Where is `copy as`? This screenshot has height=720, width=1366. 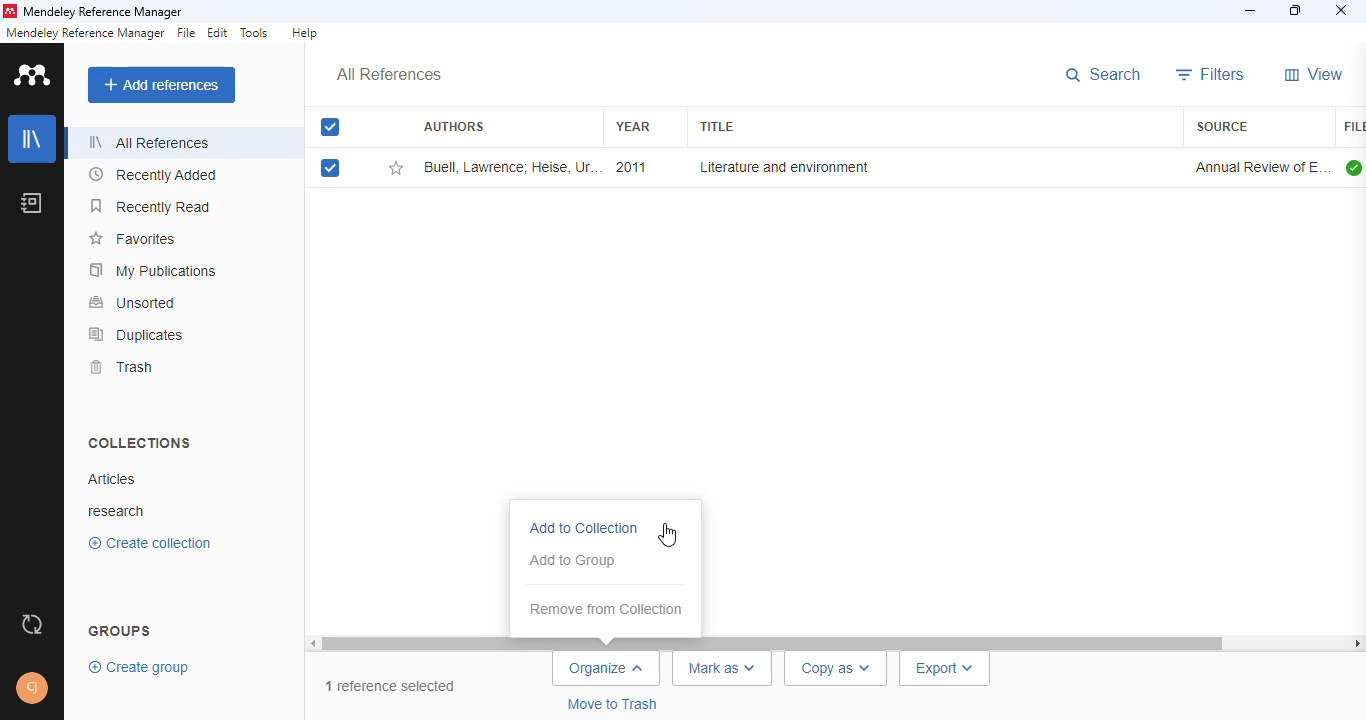 copy as is located at coordinates (838, 668).